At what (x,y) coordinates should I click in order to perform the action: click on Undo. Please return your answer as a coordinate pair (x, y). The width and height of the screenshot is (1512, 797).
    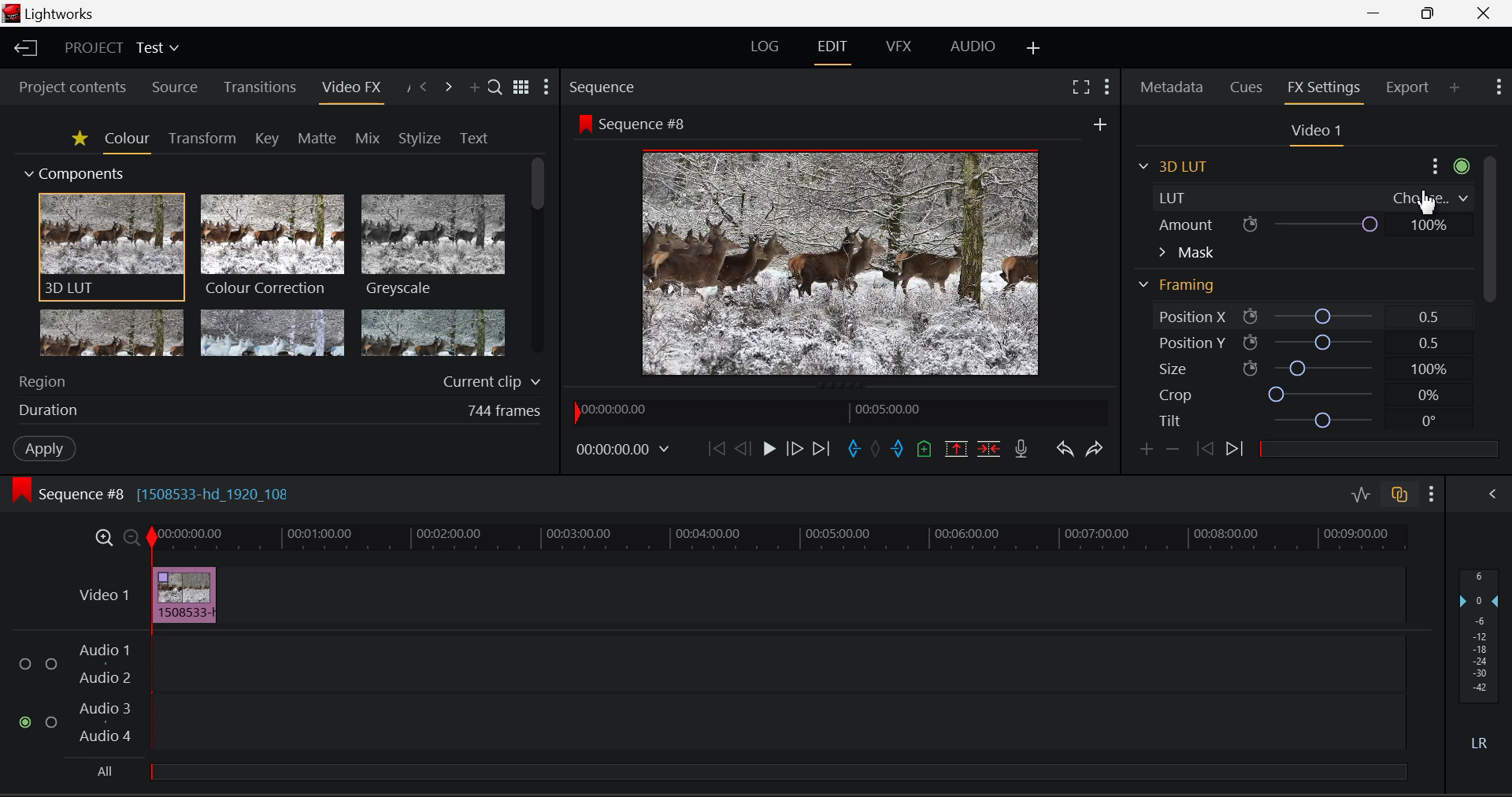
    Looking at the image, I should click on (1066, 451).